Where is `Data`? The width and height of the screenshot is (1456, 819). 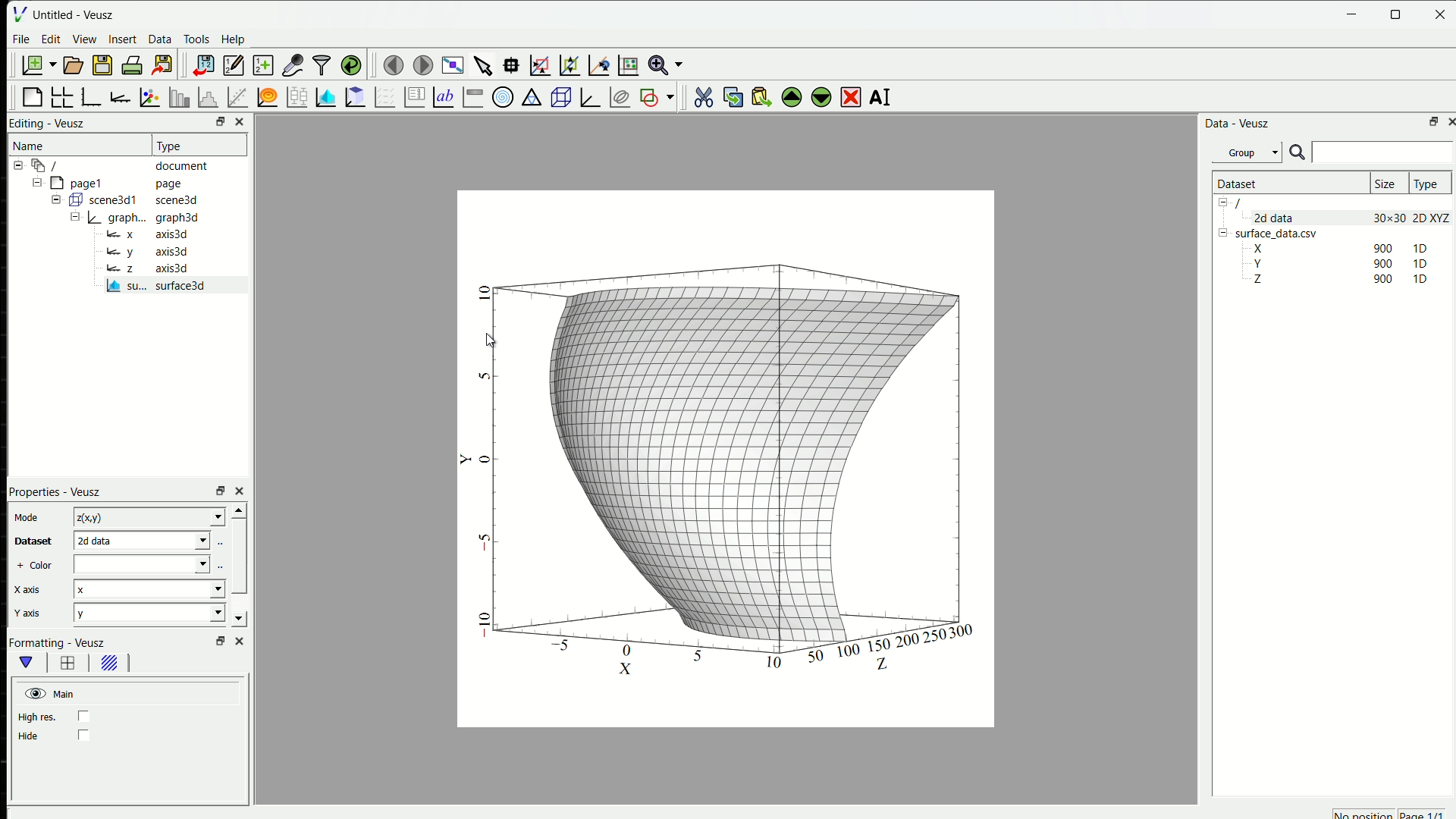
Data is located at coordinates (162, 39).